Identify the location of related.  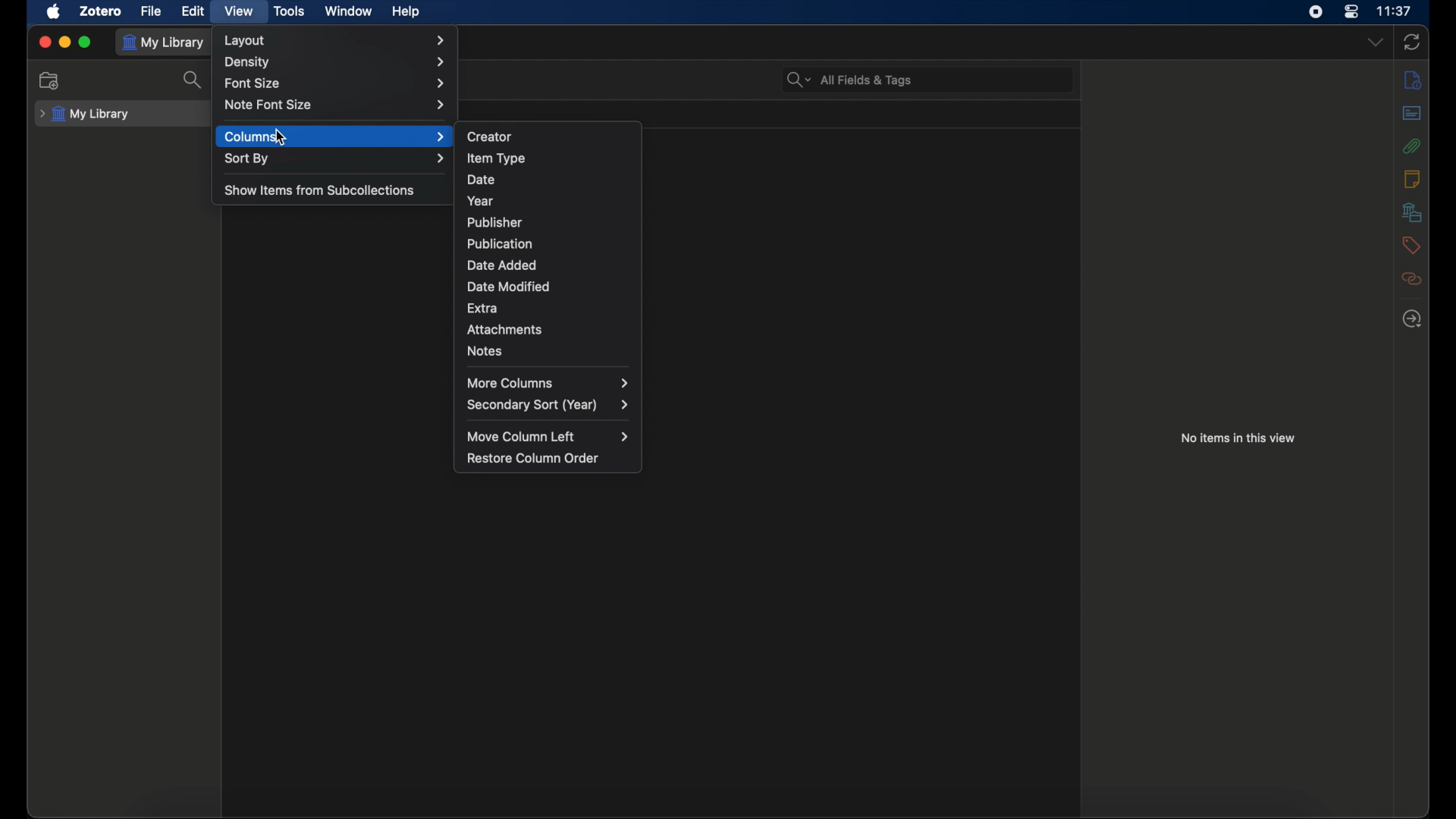
(1412, 279).